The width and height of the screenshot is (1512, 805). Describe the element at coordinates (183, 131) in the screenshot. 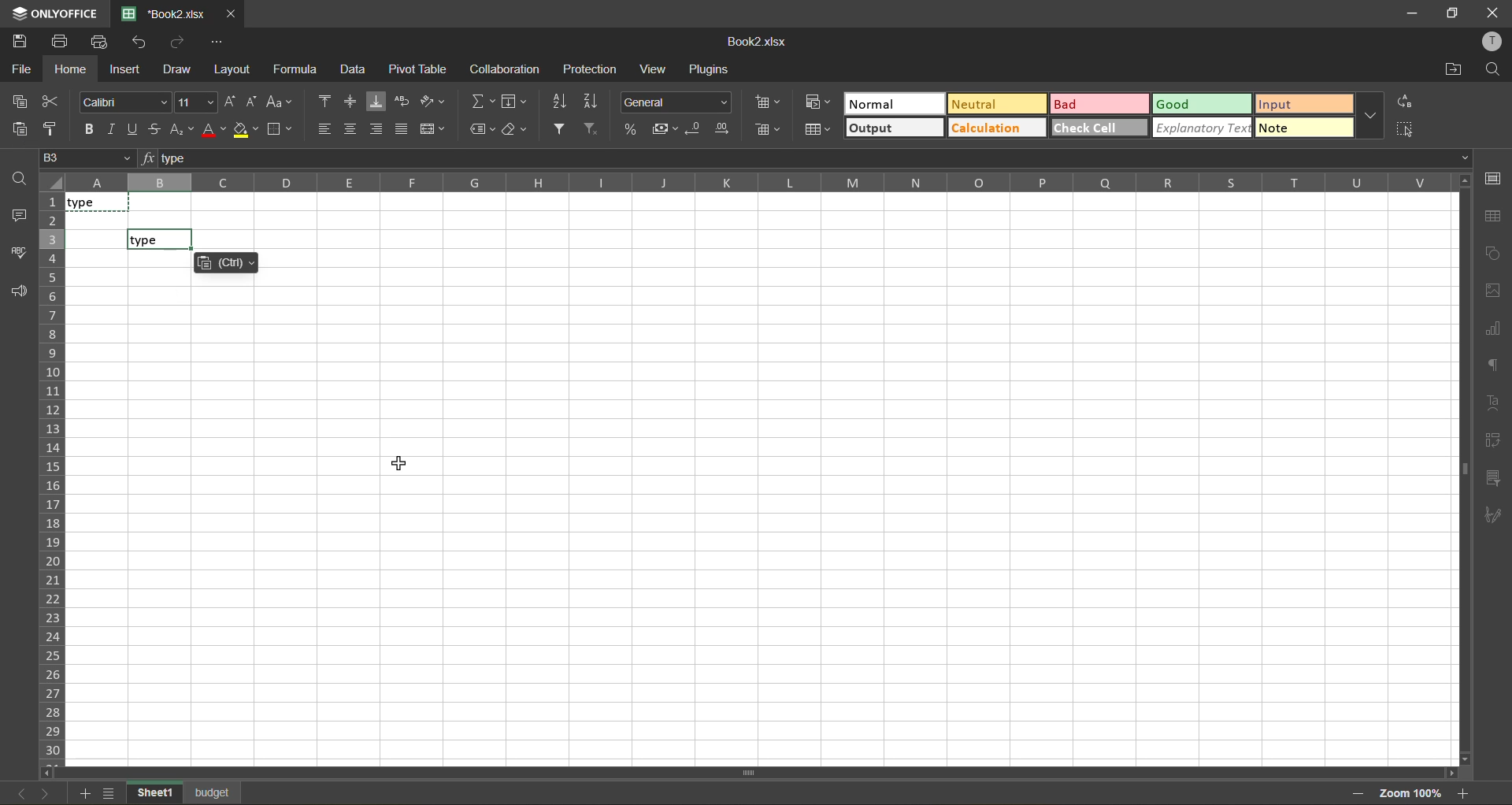

I see `sub/superscript` at that location.